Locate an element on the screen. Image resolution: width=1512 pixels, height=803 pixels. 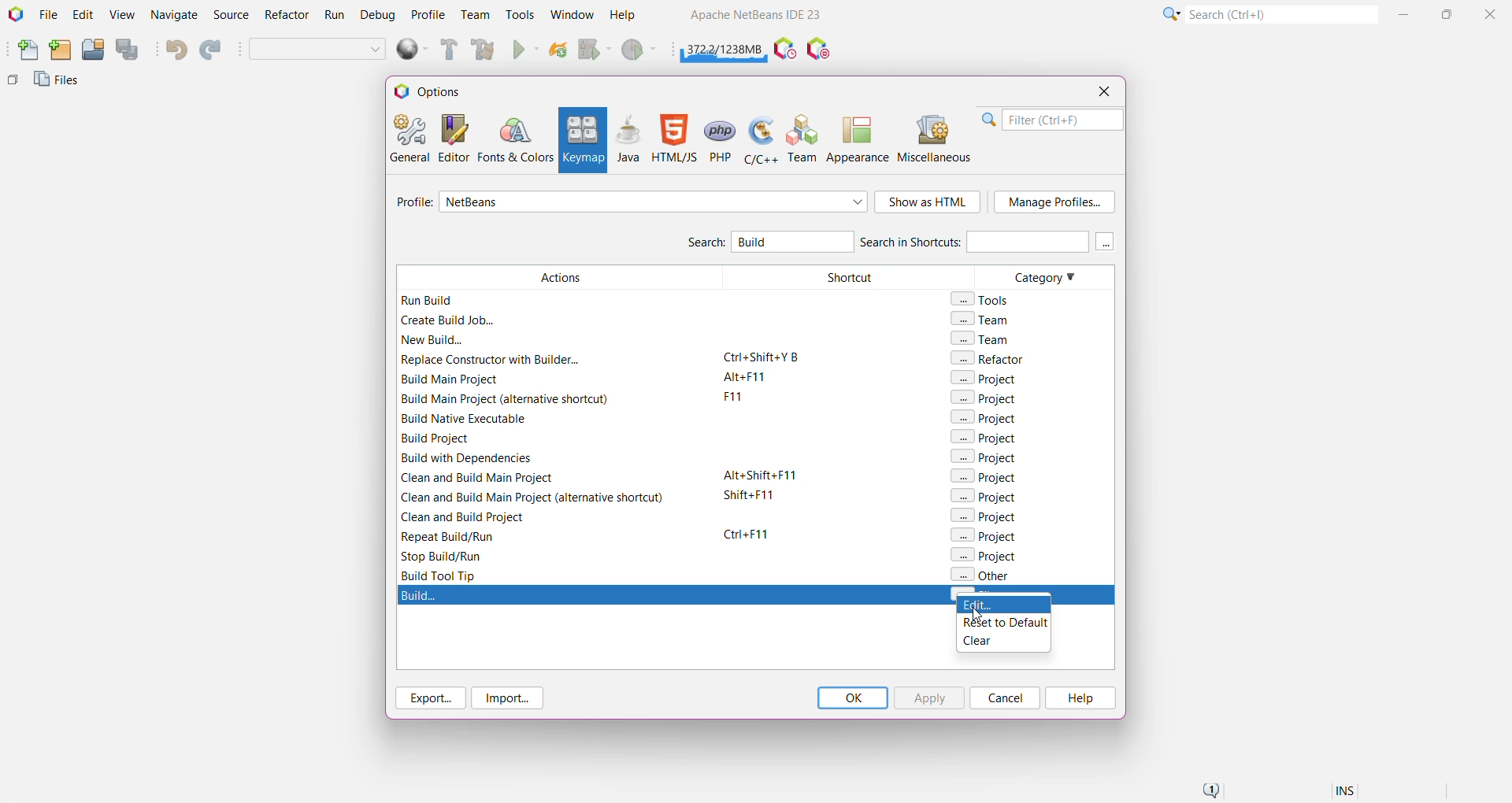
Source is located at coordinates (233, 15).